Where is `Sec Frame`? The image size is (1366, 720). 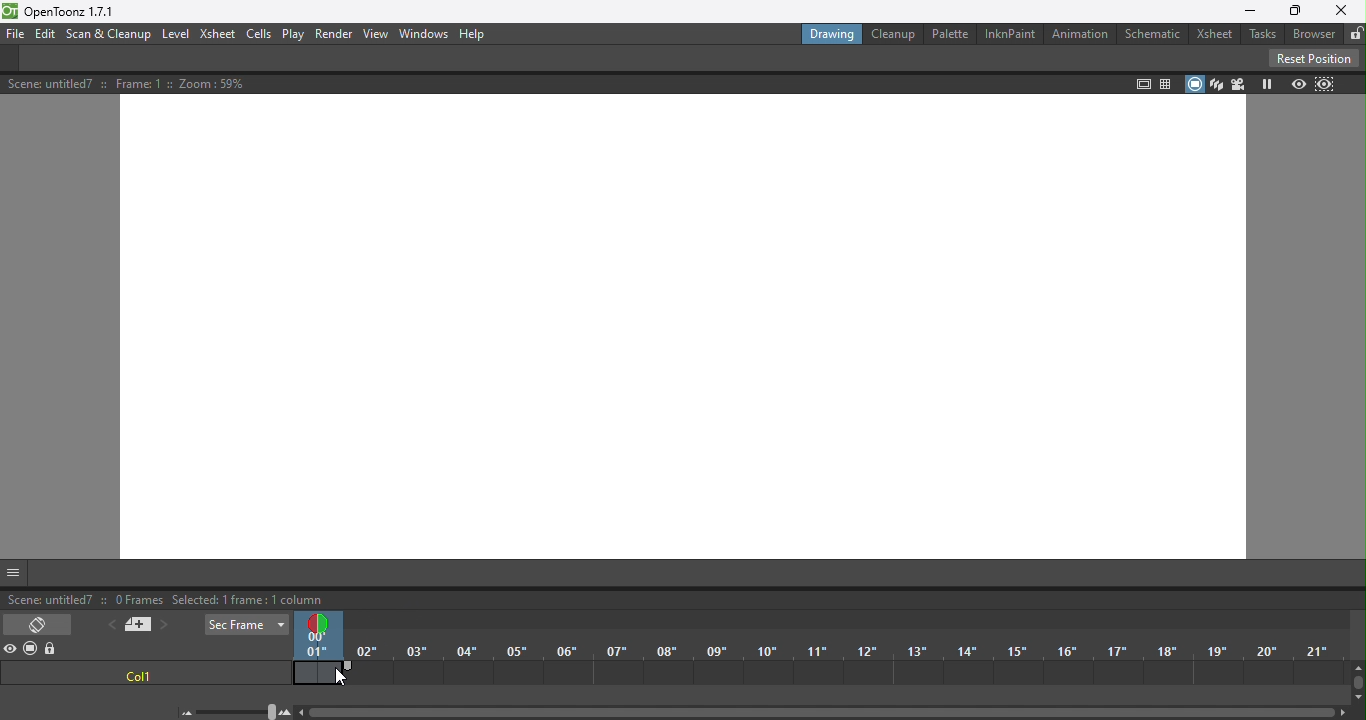
Sec Frame is located at coordinates (247, 626).